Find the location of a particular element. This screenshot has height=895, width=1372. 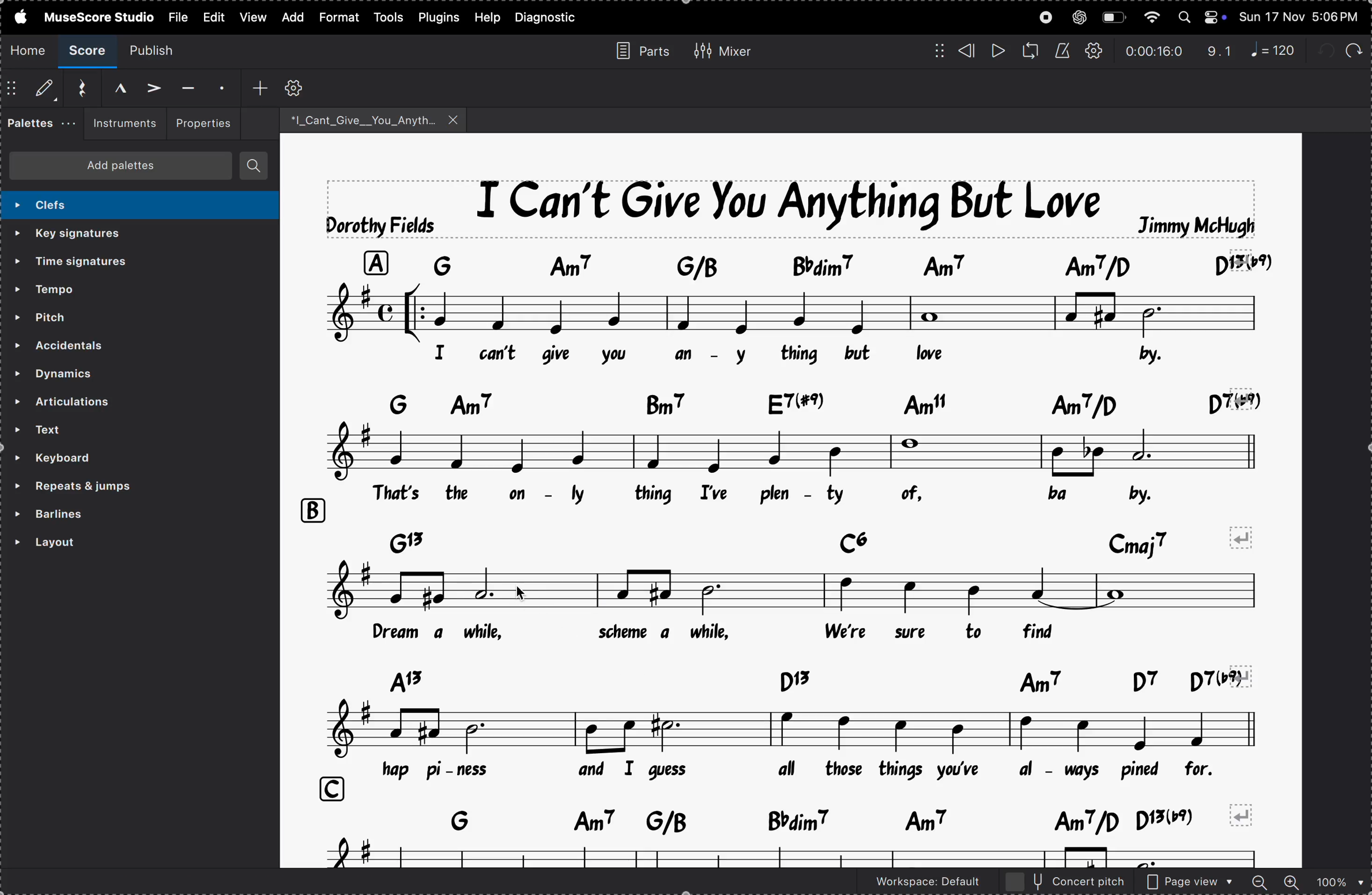

dynamics is located at coordinates (95, 375).